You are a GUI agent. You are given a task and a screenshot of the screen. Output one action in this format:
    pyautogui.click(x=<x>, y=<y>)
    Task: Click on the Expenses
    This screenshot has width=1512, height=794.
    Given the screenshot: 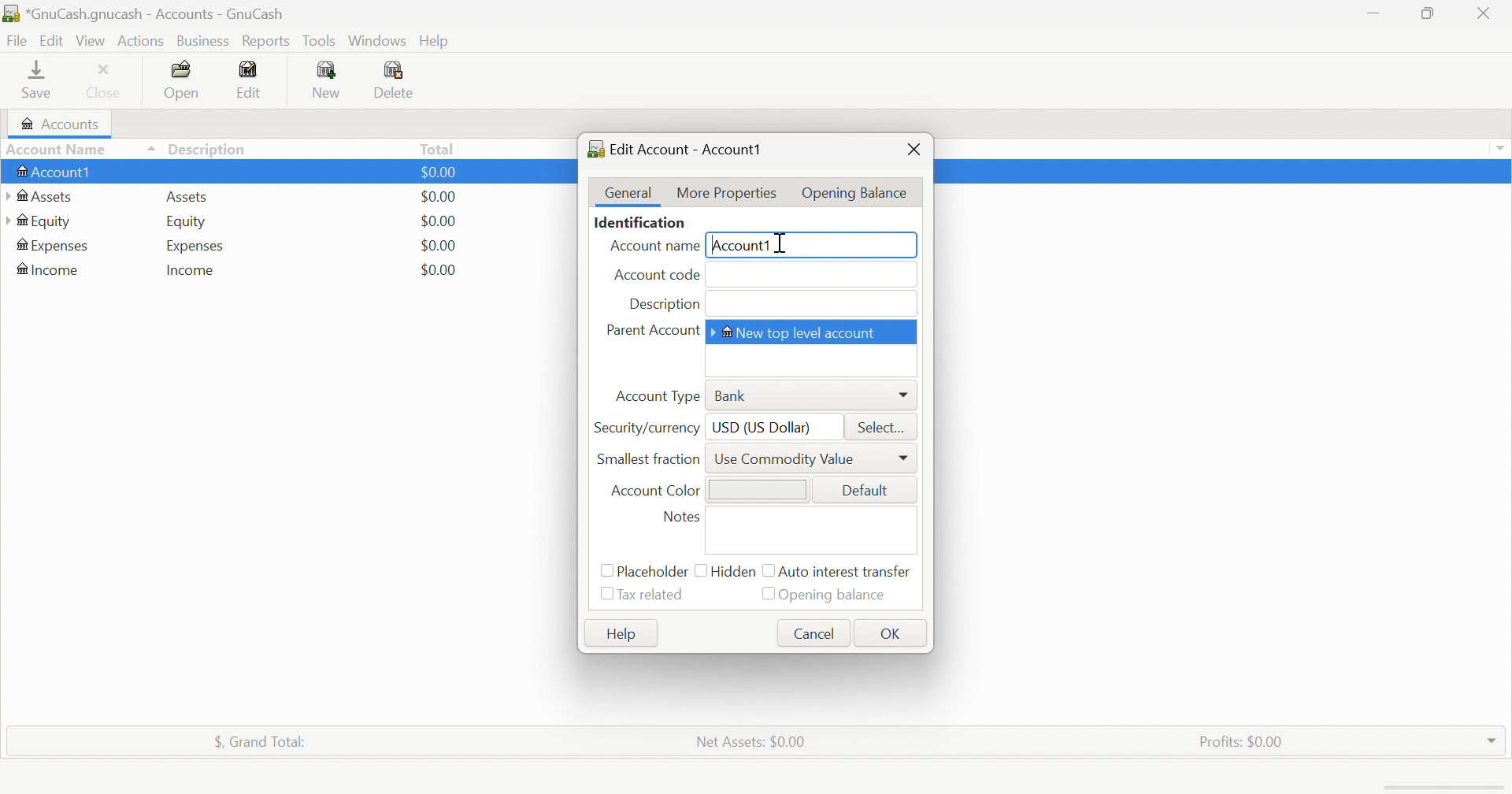 What is the action you would take?
    pyautogui.click(x=195, y=248)
    